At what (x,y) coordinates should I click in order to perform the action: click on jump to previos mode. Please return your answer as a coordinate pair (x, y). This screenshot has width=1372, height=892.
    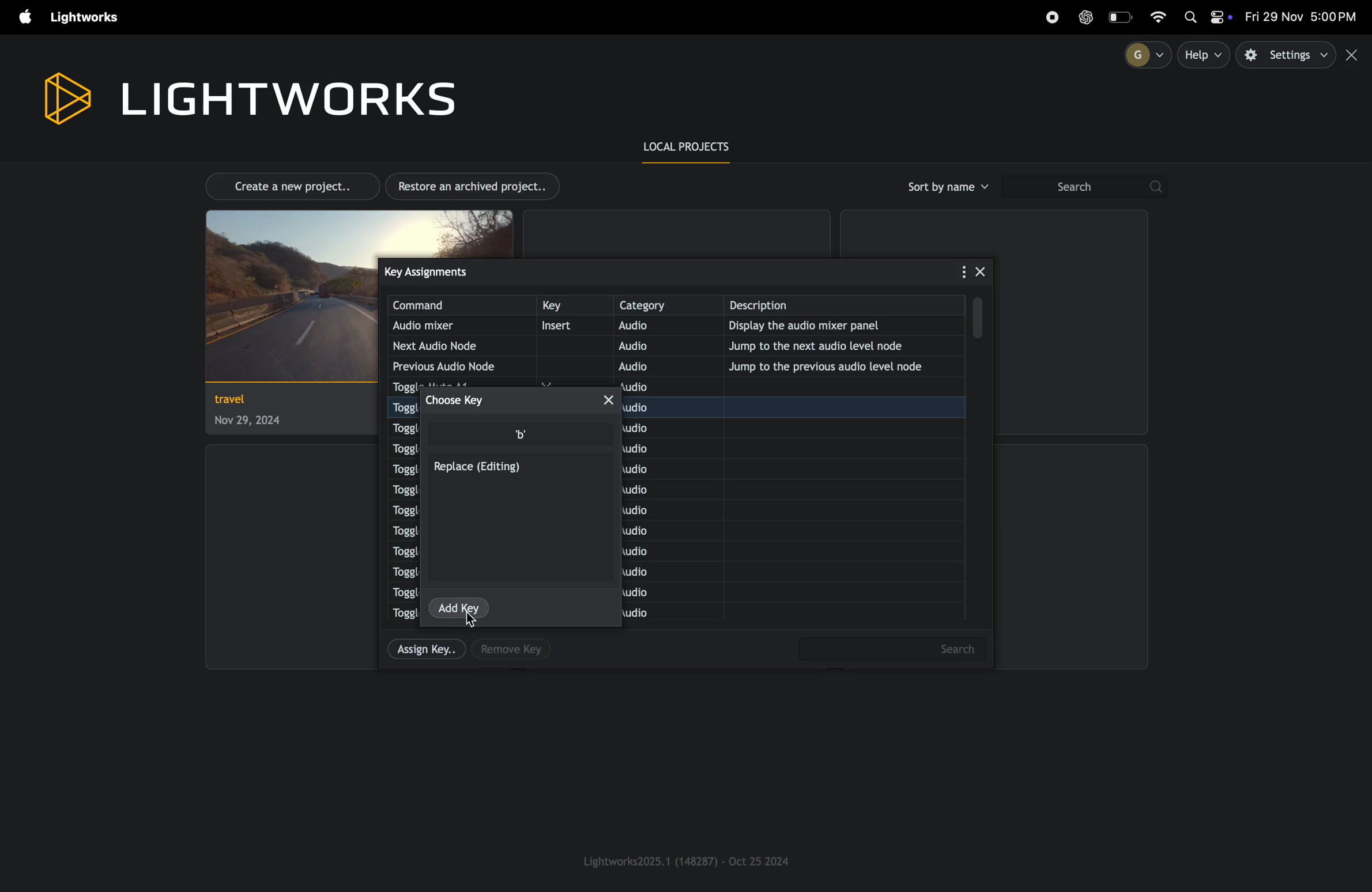
    Looking at the image, I should click on (832, 366).